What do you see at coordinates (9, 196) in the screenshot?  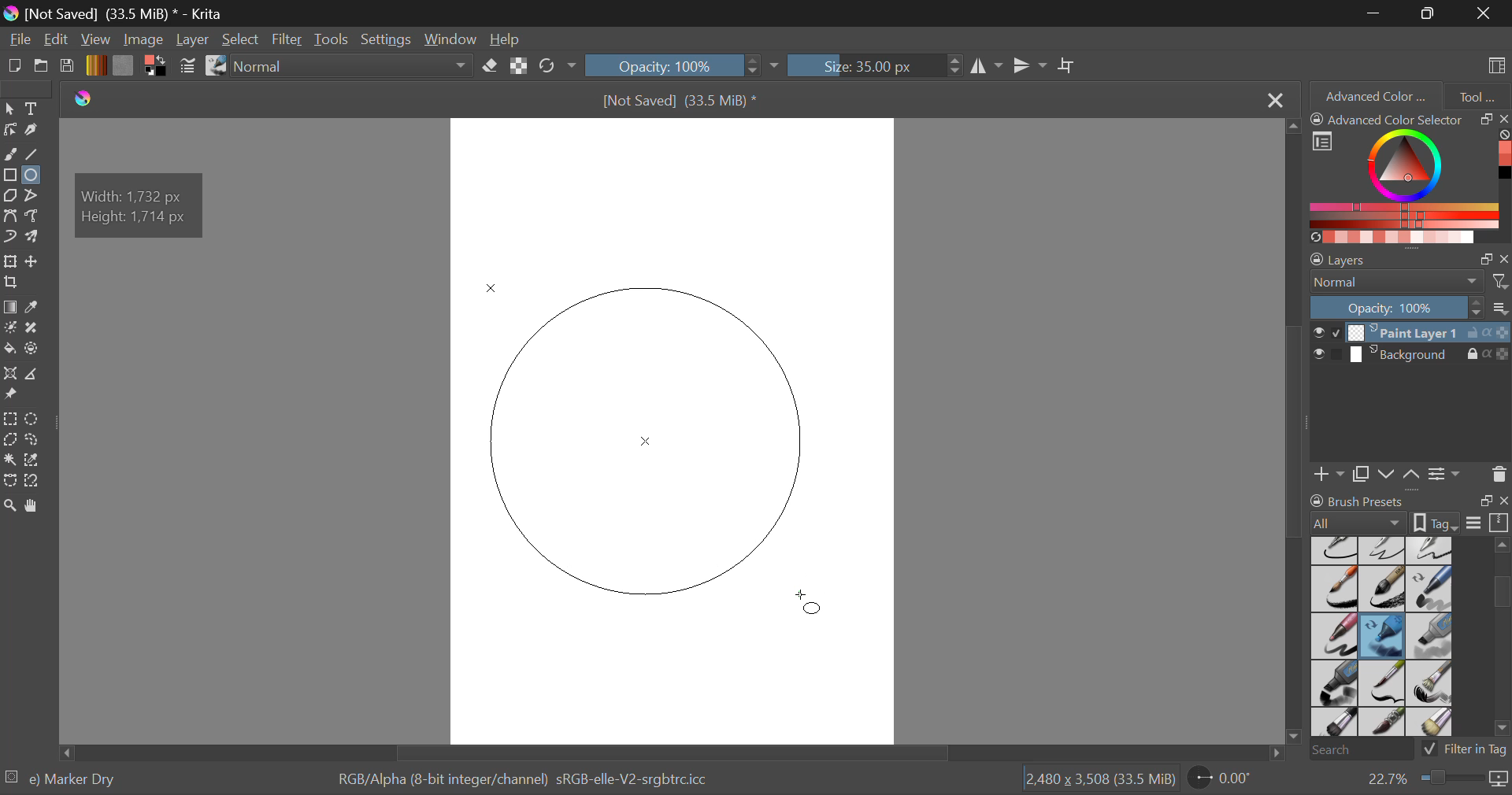 I see `Polygon Tool` at bounding box center [9, 196].